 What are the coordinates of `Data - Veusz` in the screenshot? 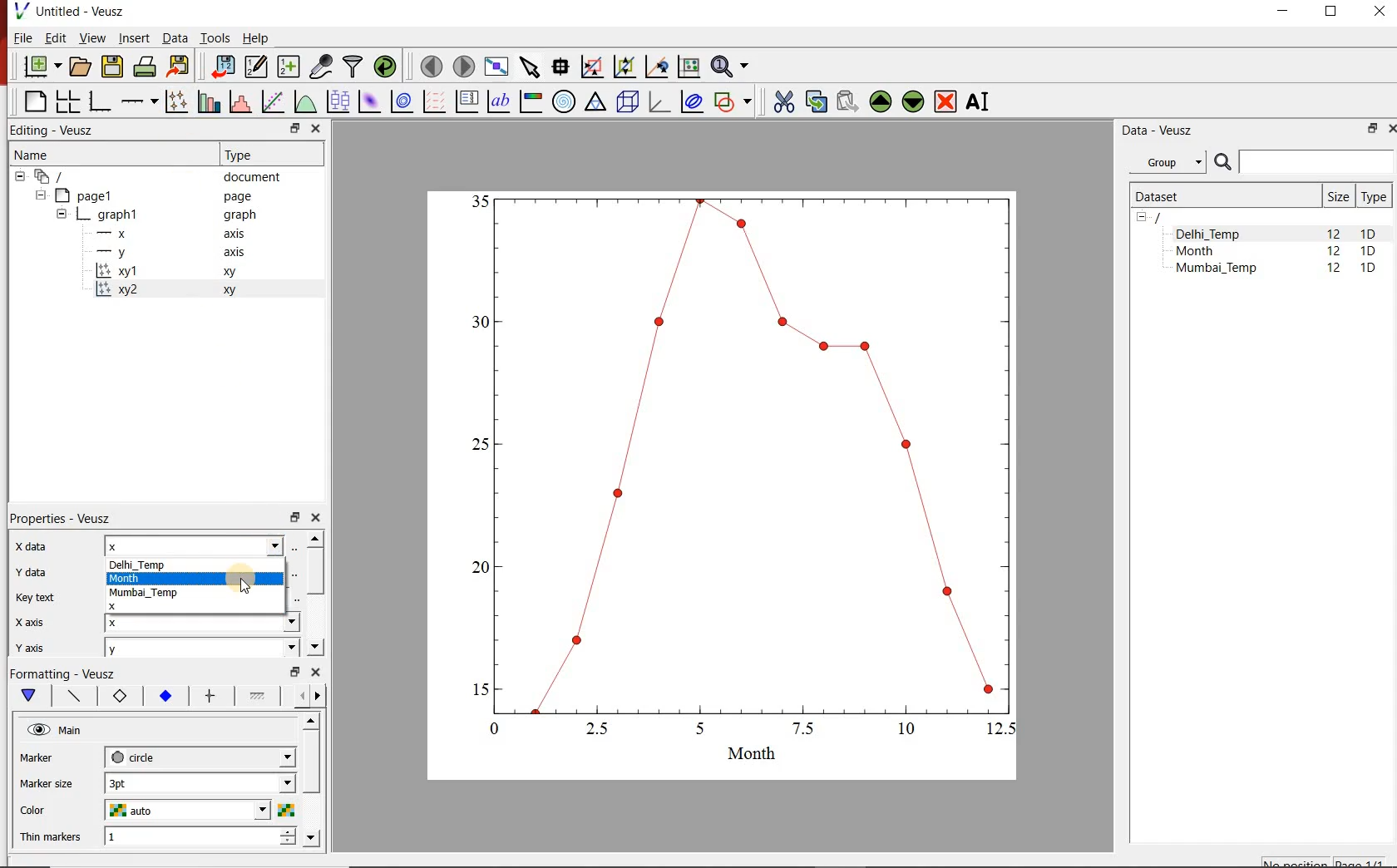 It's located at (1160, 131).